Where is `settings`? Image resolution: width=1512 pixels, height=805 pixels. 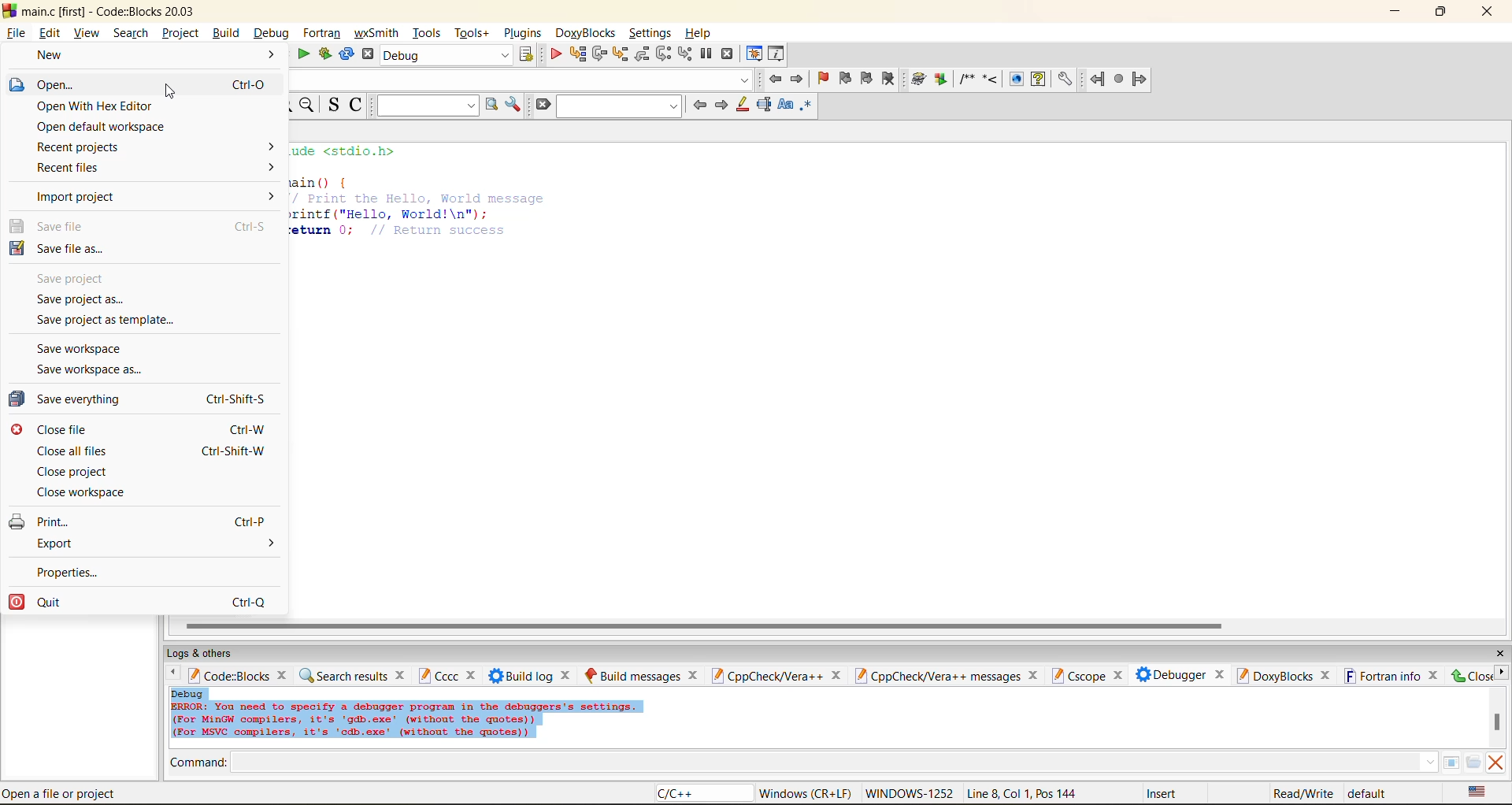
settings is located at coordinates (651, 33).